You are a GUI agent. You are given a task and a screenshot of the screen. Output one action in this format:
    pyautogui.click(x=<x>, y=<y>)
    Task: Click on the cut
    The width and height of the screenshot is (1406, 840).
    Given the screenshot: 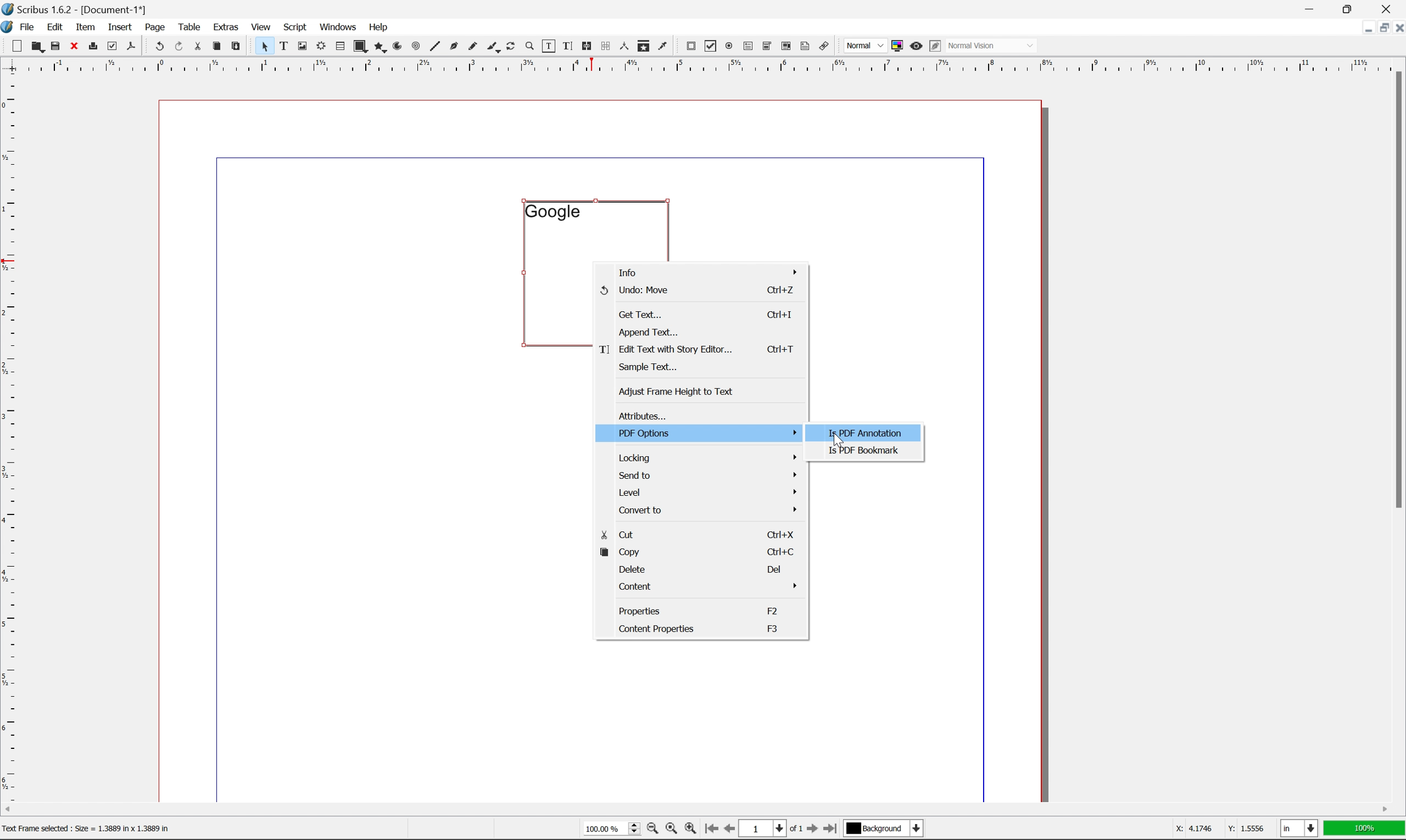 What is the action you would take?
    pyautogui.click(x=198, y=46)
    